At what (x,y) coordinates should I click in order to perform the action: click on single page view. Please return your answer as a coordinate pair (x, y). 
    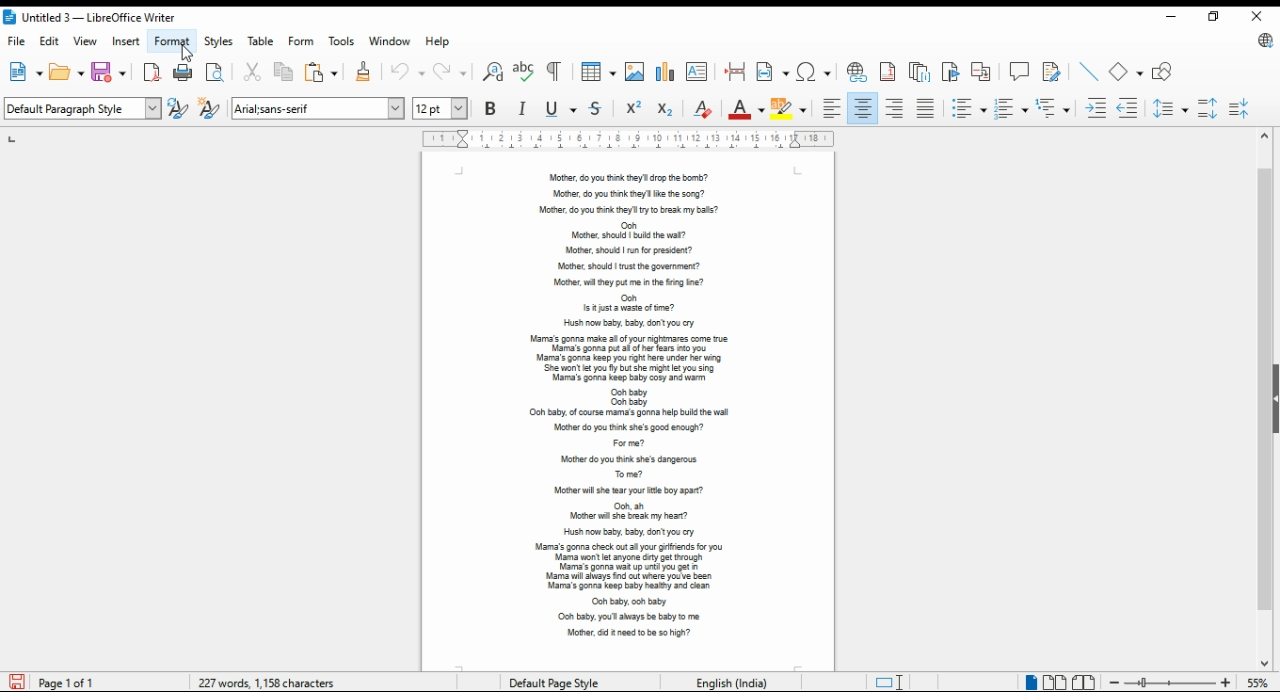
    Looking at the image, I should click on (1028, 682).